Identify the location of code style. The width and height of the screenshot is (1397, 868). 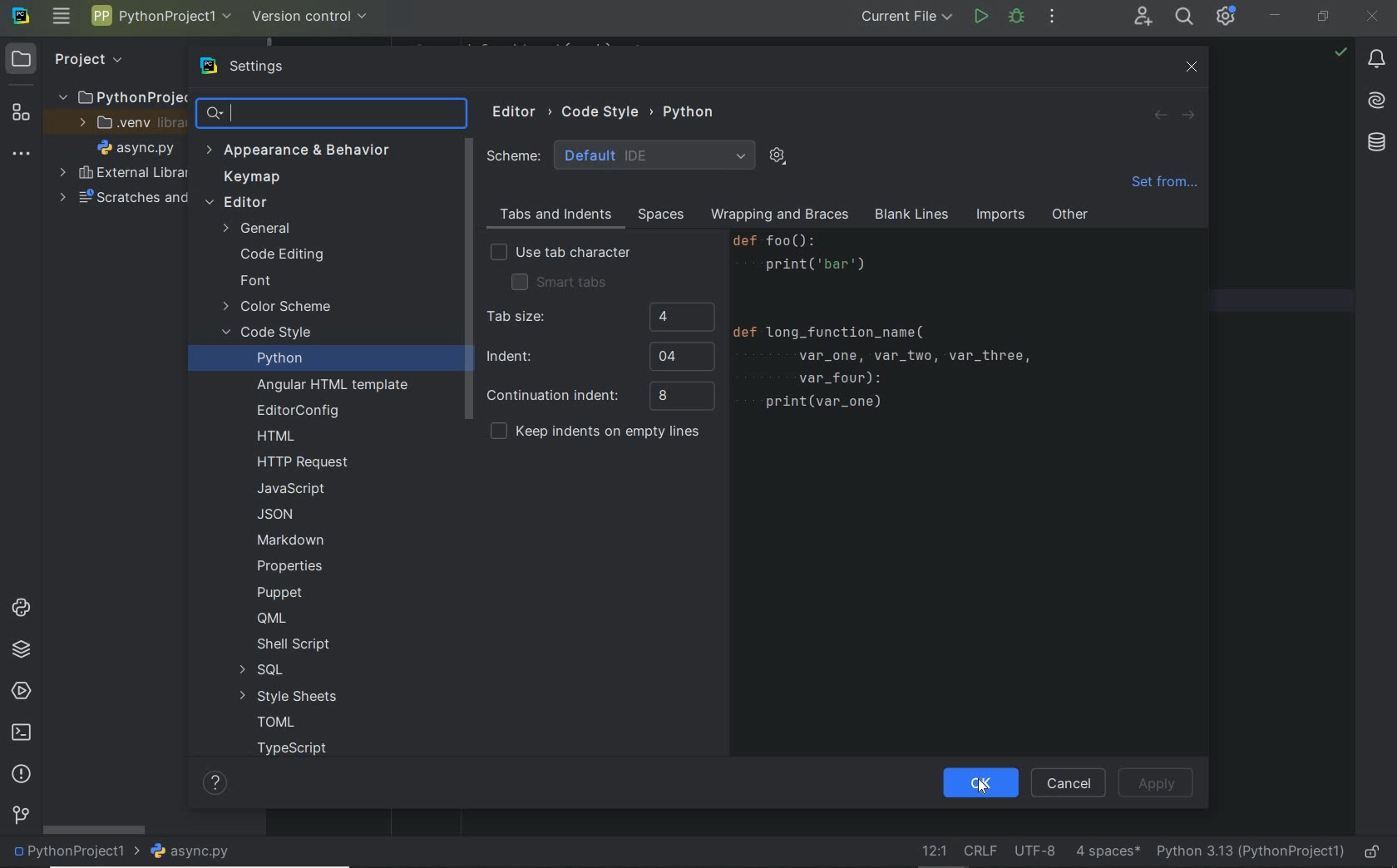
(269, 334).